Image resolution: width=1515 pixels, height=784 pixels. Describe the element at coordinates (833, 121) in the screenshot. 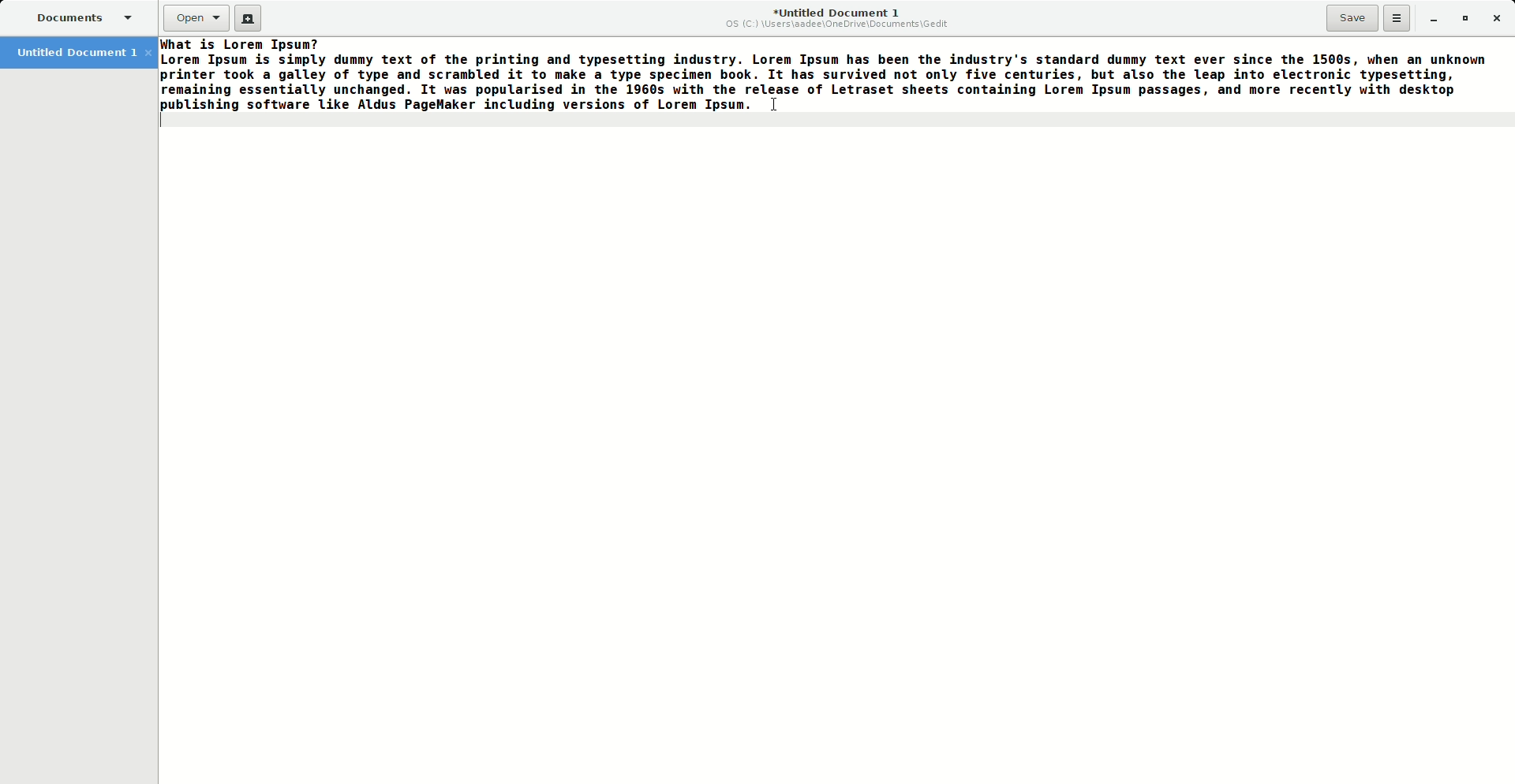

I see `New Line` at that location.